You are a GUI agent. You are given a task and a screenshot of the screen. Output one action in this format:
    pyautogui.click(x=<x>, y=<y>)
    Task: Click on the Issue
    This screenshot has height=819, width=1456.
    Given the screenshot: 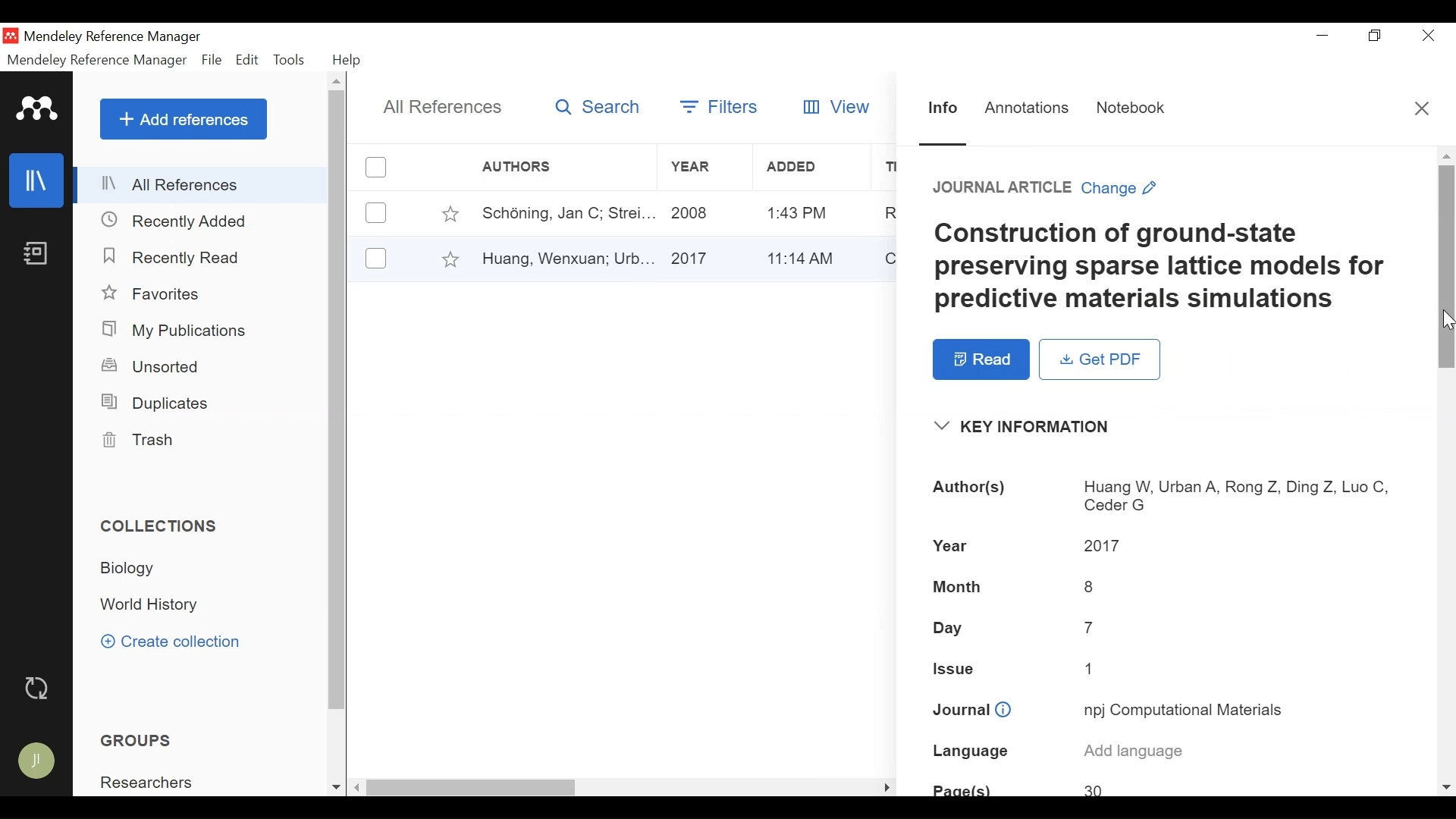 What is the action you would take?
    pyautogui.click(x=1167, y=670)
    